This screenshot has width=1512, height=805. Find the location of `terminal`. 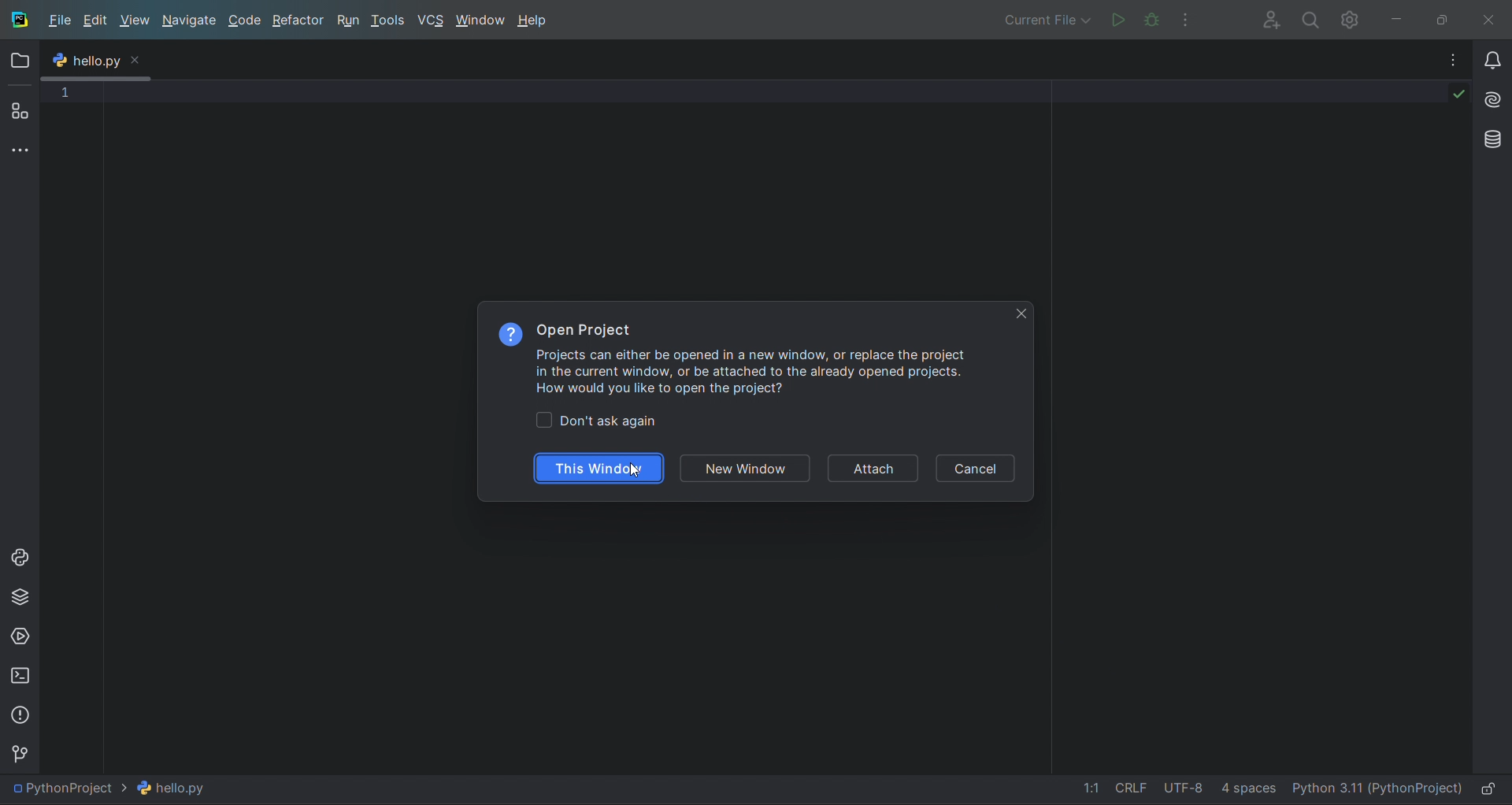

terminal is located at coordinates (19, 675).